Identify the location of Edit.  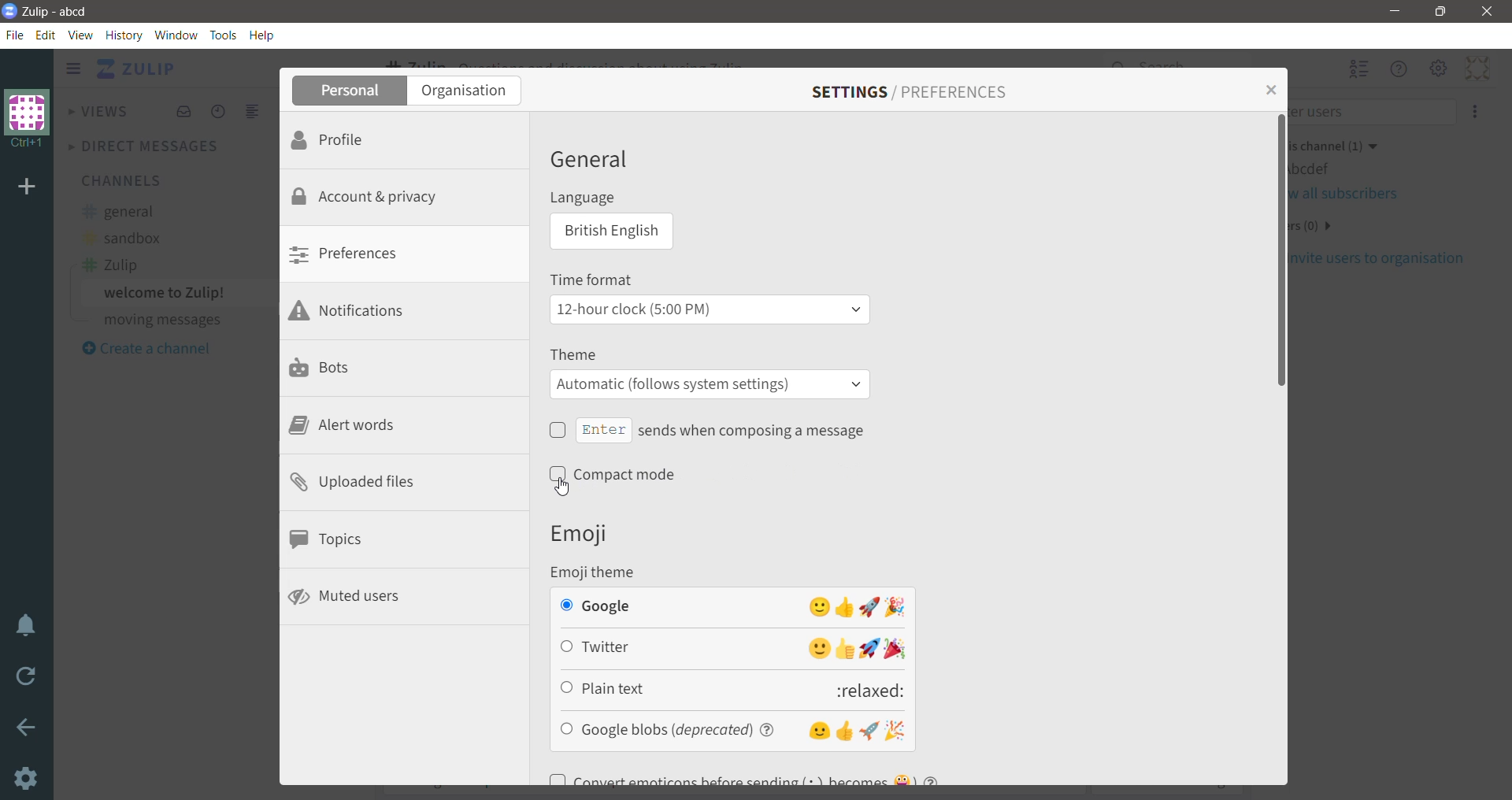
(46, 35).